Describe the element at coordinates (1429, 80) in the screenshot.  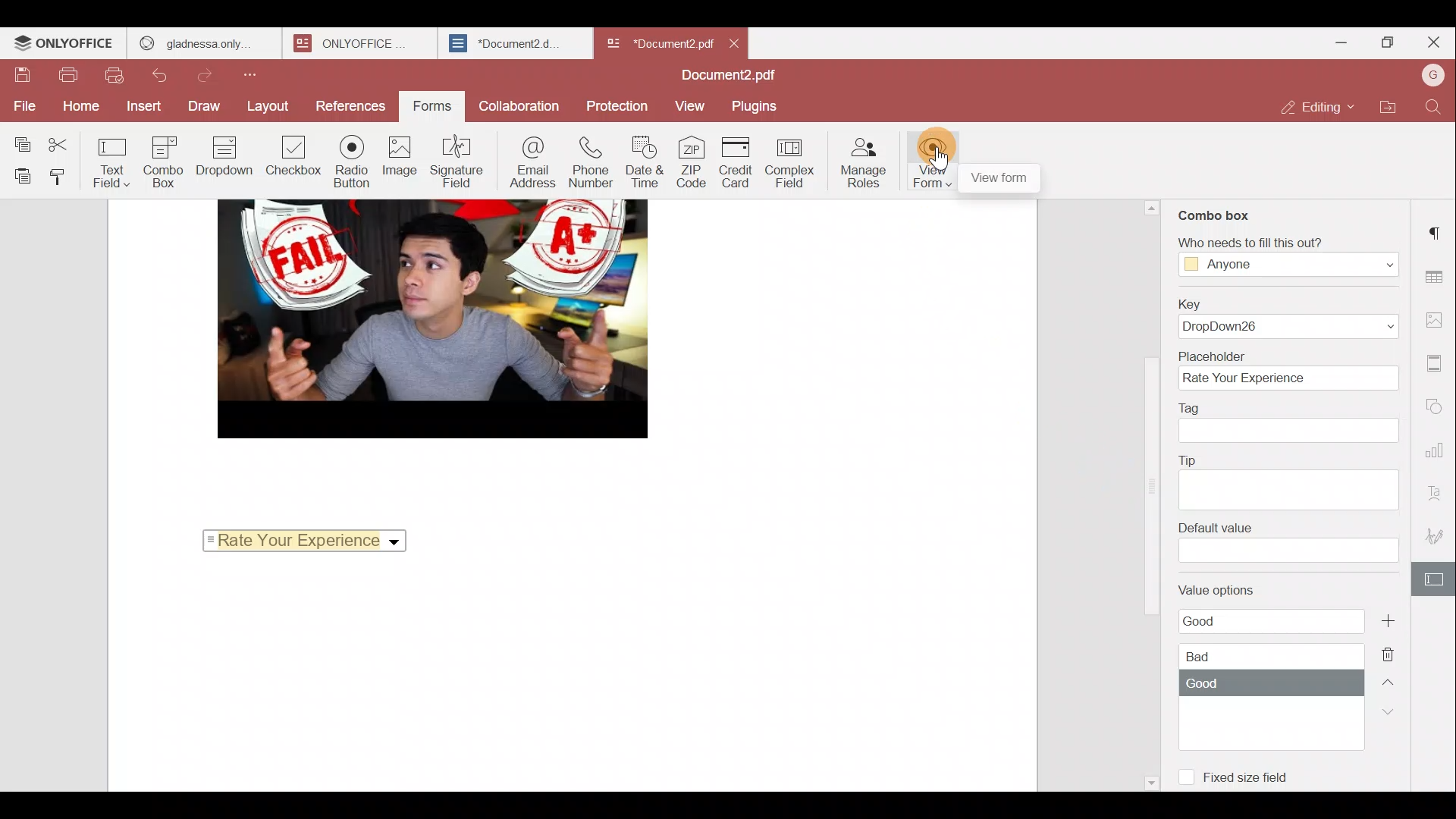
I see `Account name` at that location.